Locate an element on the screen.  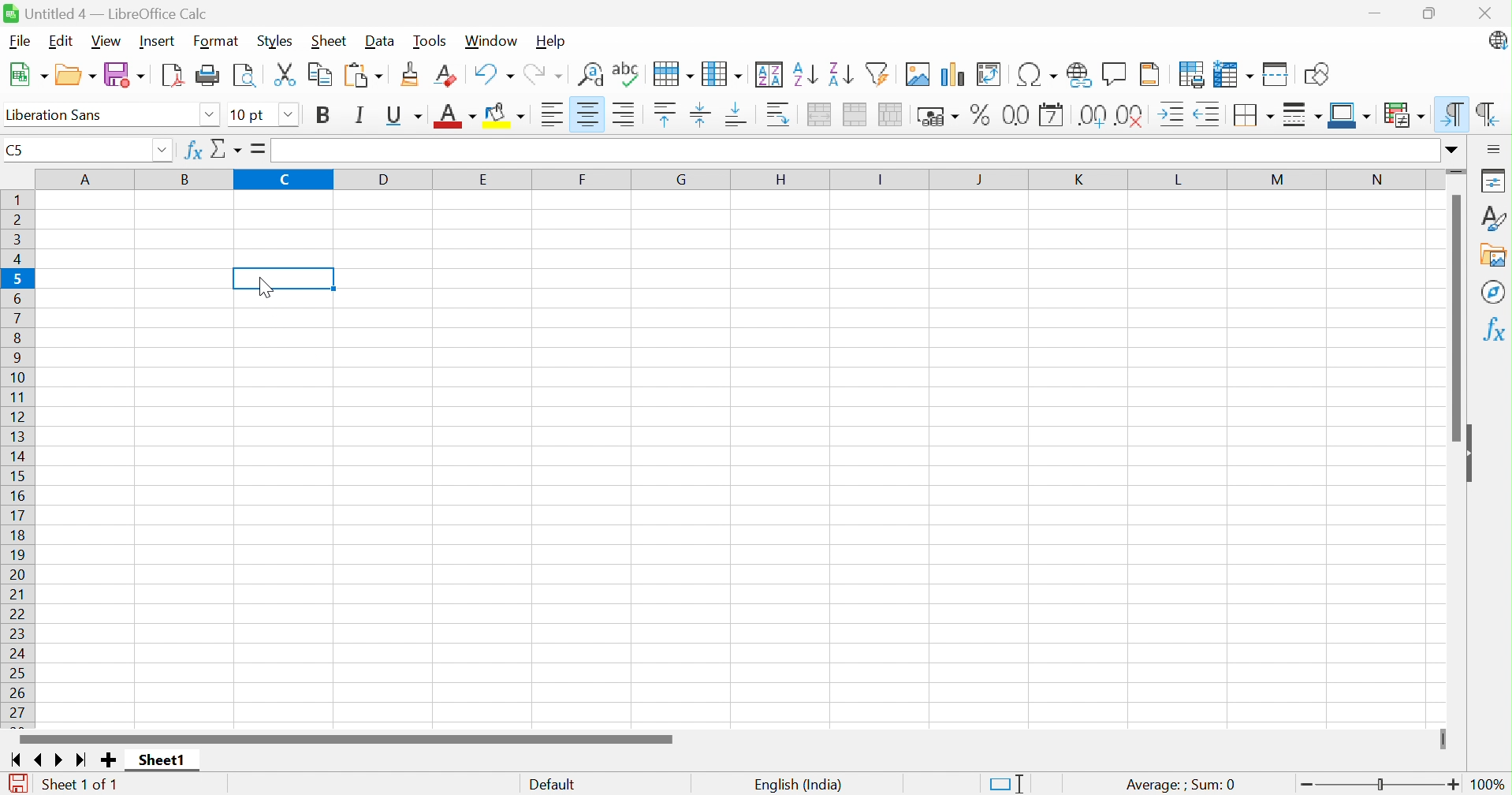
Zoom Out is located at coordinates (1309, 785).